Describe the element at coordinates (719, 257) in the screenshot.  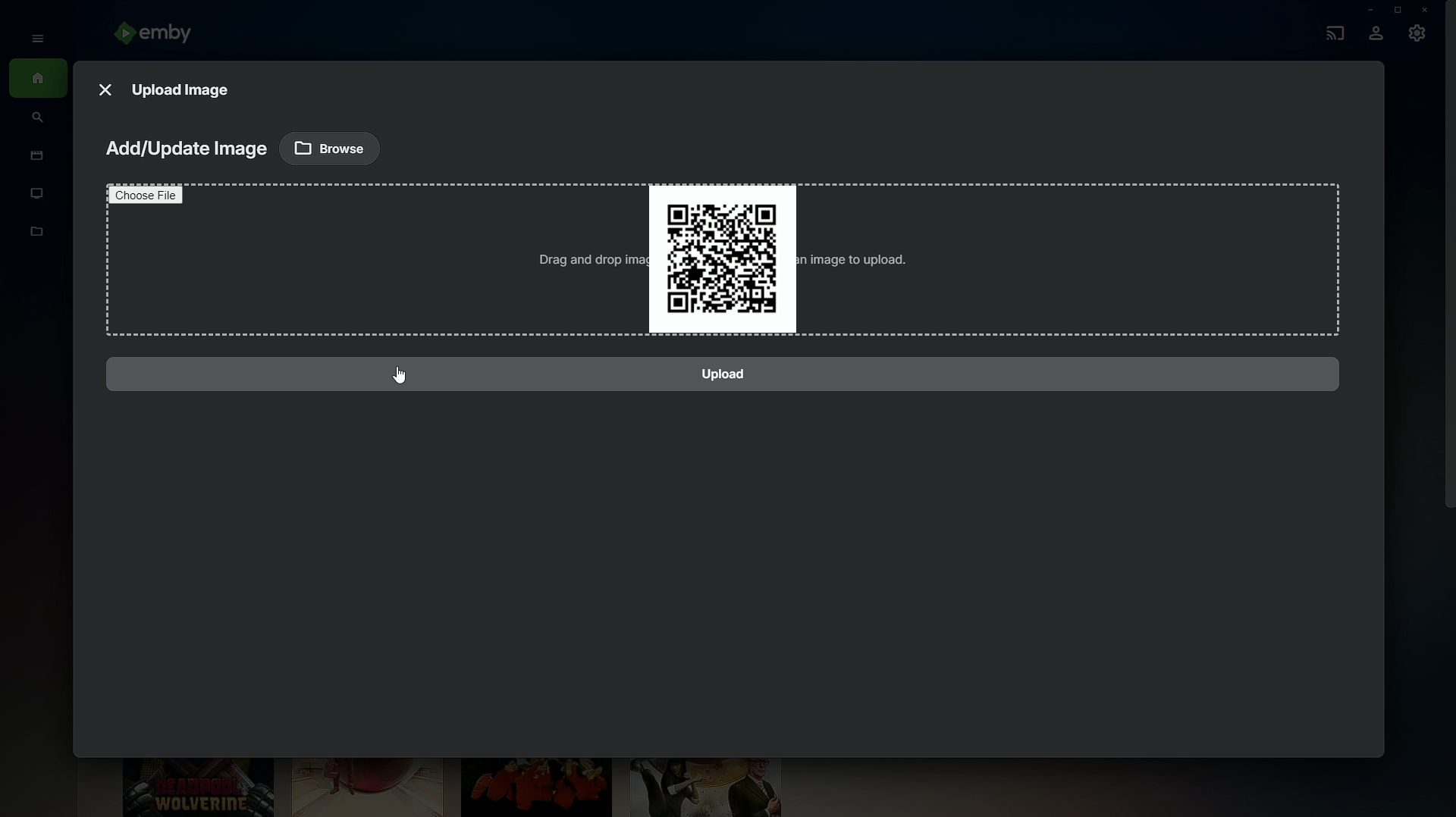
I see `Image` at that location.